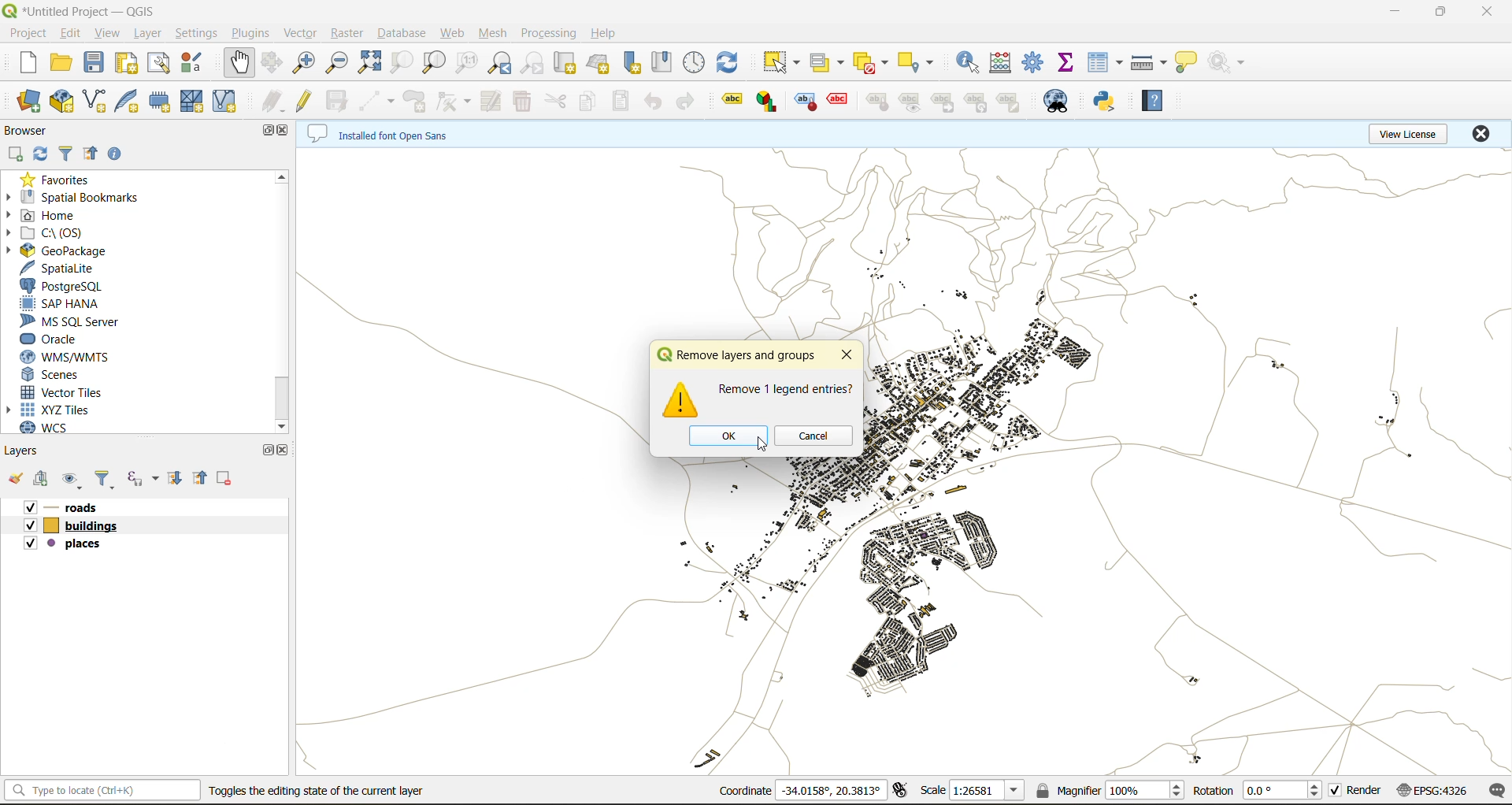  What do you see at coordinates (105, 32) in the screenshot?
I see `view` at bounding box center [105, 32].